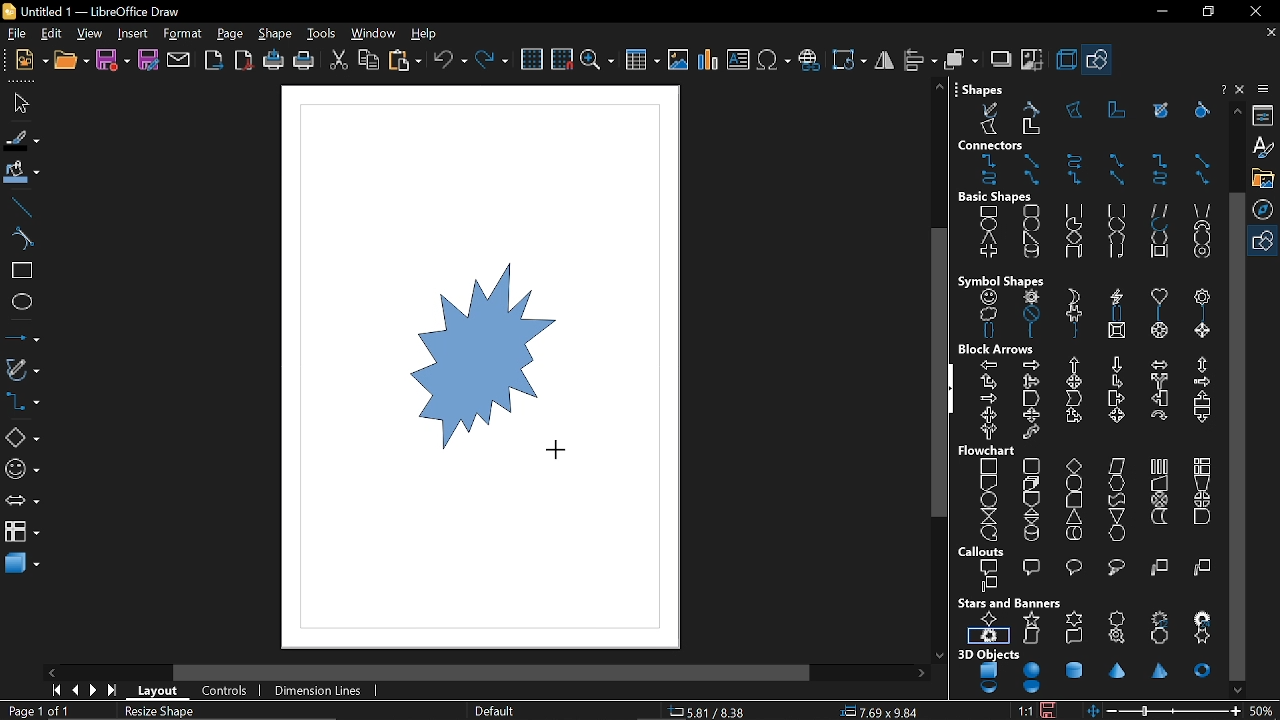 The width and height of the screenshot is (1280, 720). Describe the element at coordinates (847, 59) in the screenshot. I see `Transformation` at that location.